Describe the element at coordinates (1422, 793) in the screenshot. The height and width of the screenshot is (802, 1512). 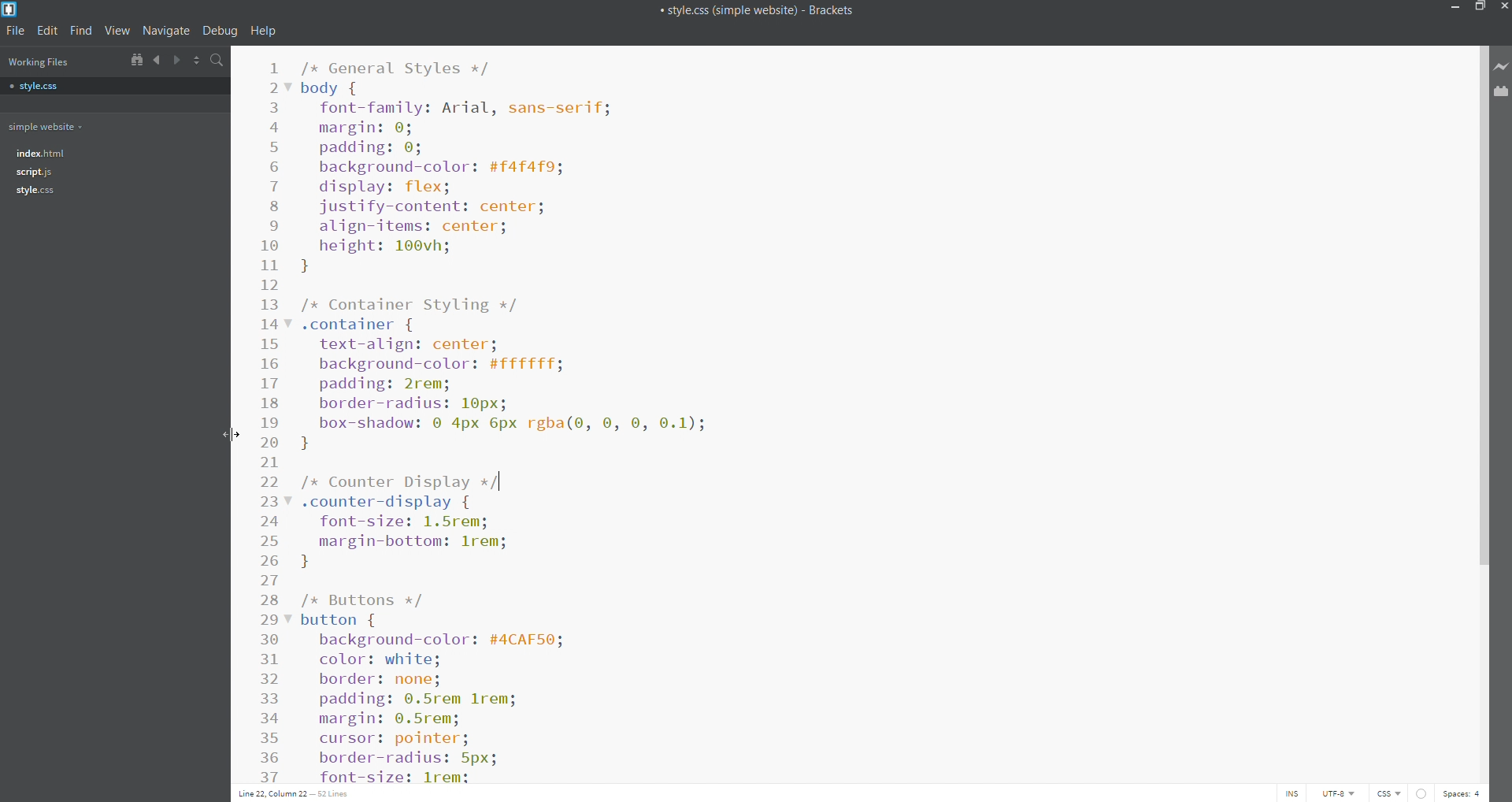
I see `show error` at that location.